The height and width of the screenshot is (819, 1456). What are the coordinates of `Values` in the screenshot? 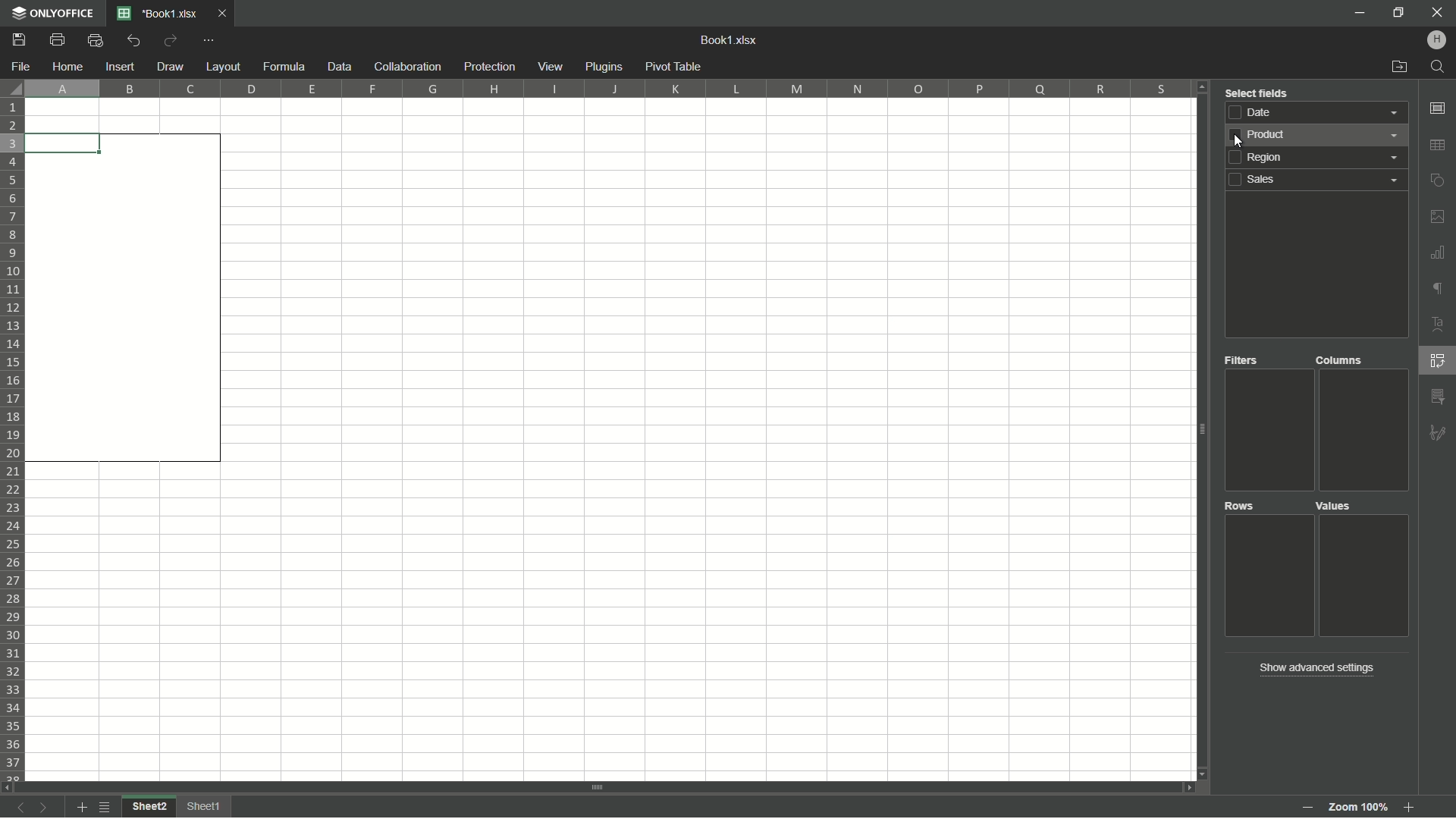 It's located at (1339, 507).